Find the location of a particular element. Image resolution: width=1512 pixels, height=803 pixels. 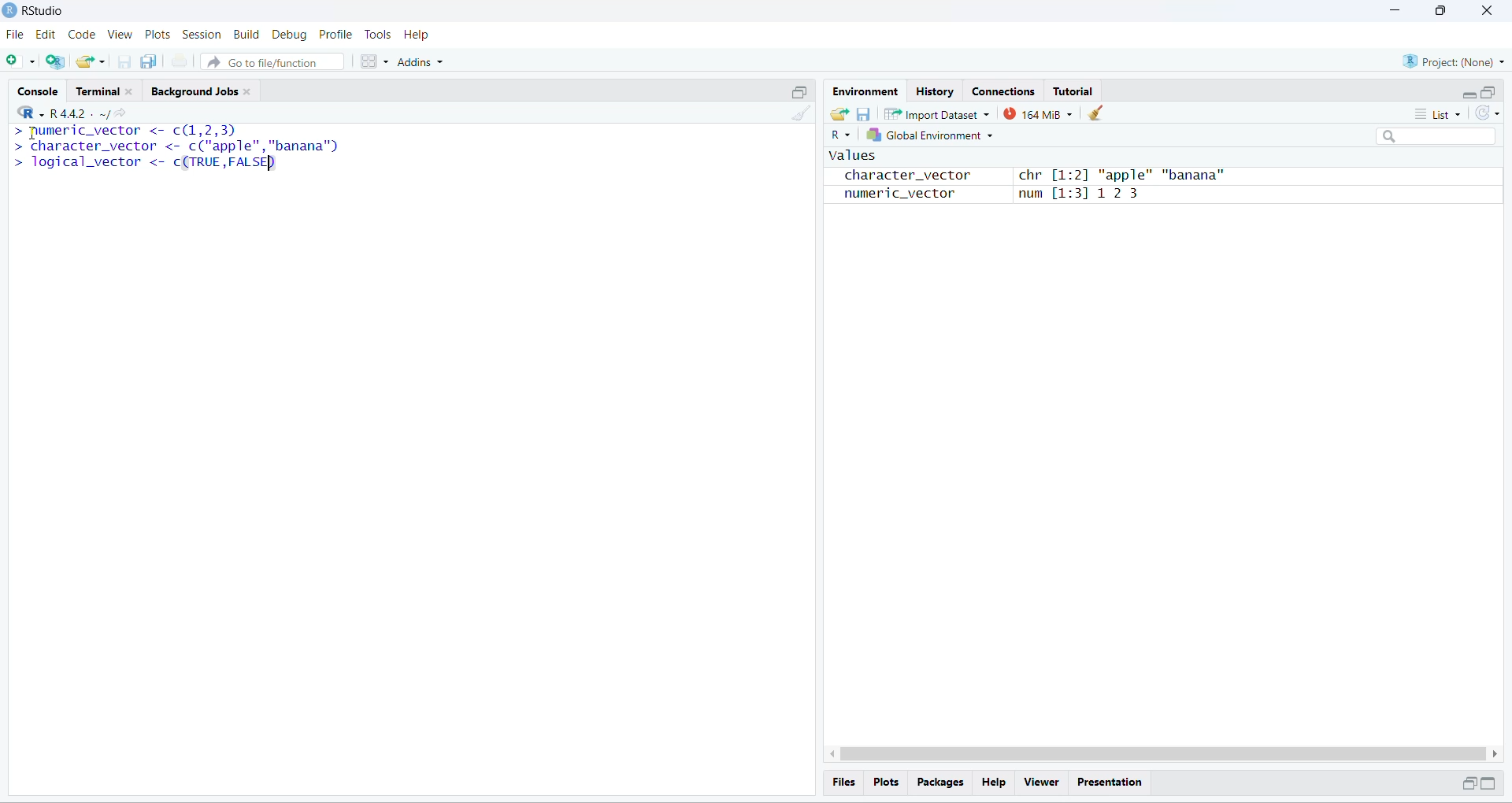

open existing project is located at coordinates (91, 61).